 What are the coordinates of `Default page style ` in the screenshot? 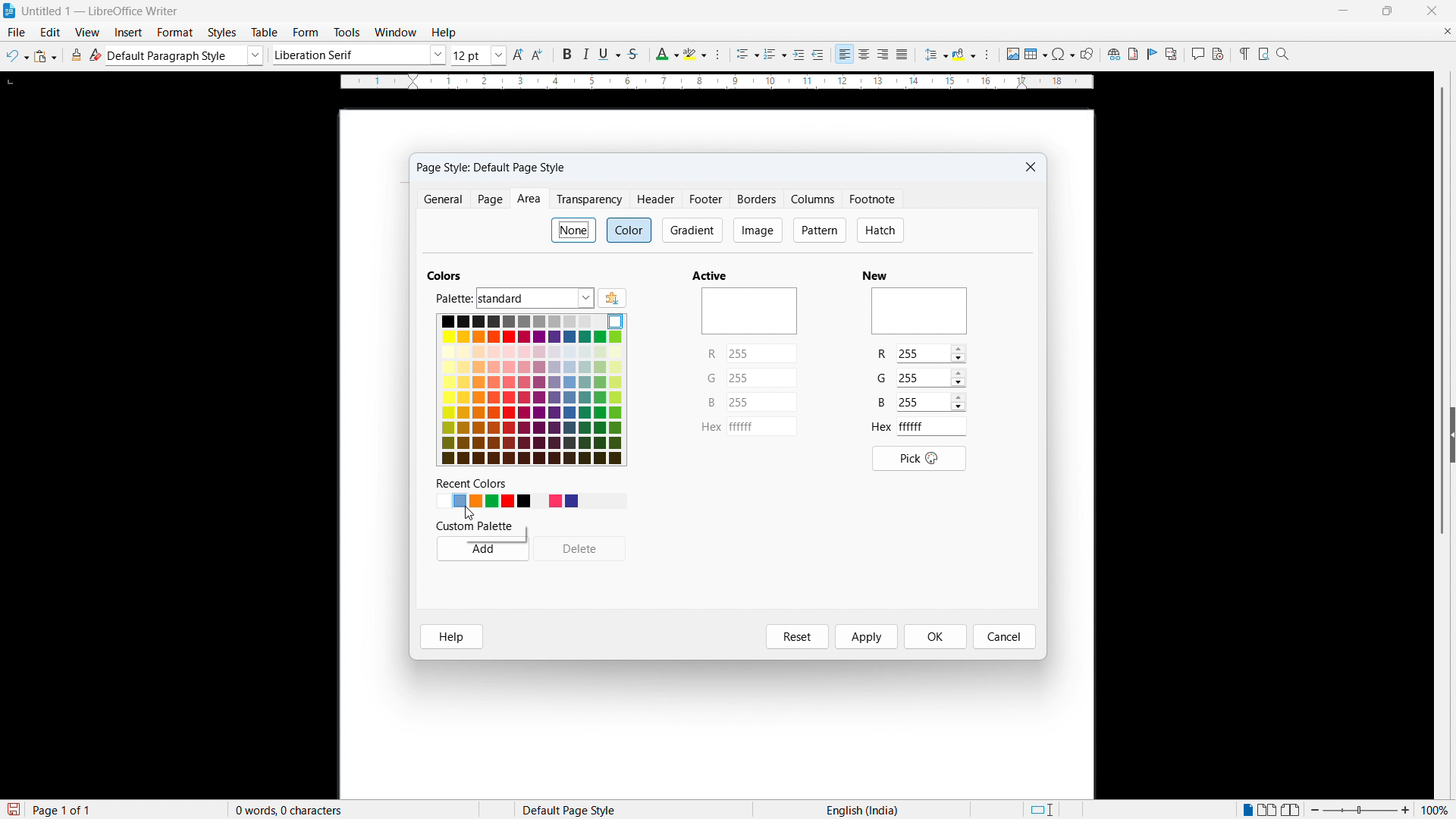 It's located at (567, 809).